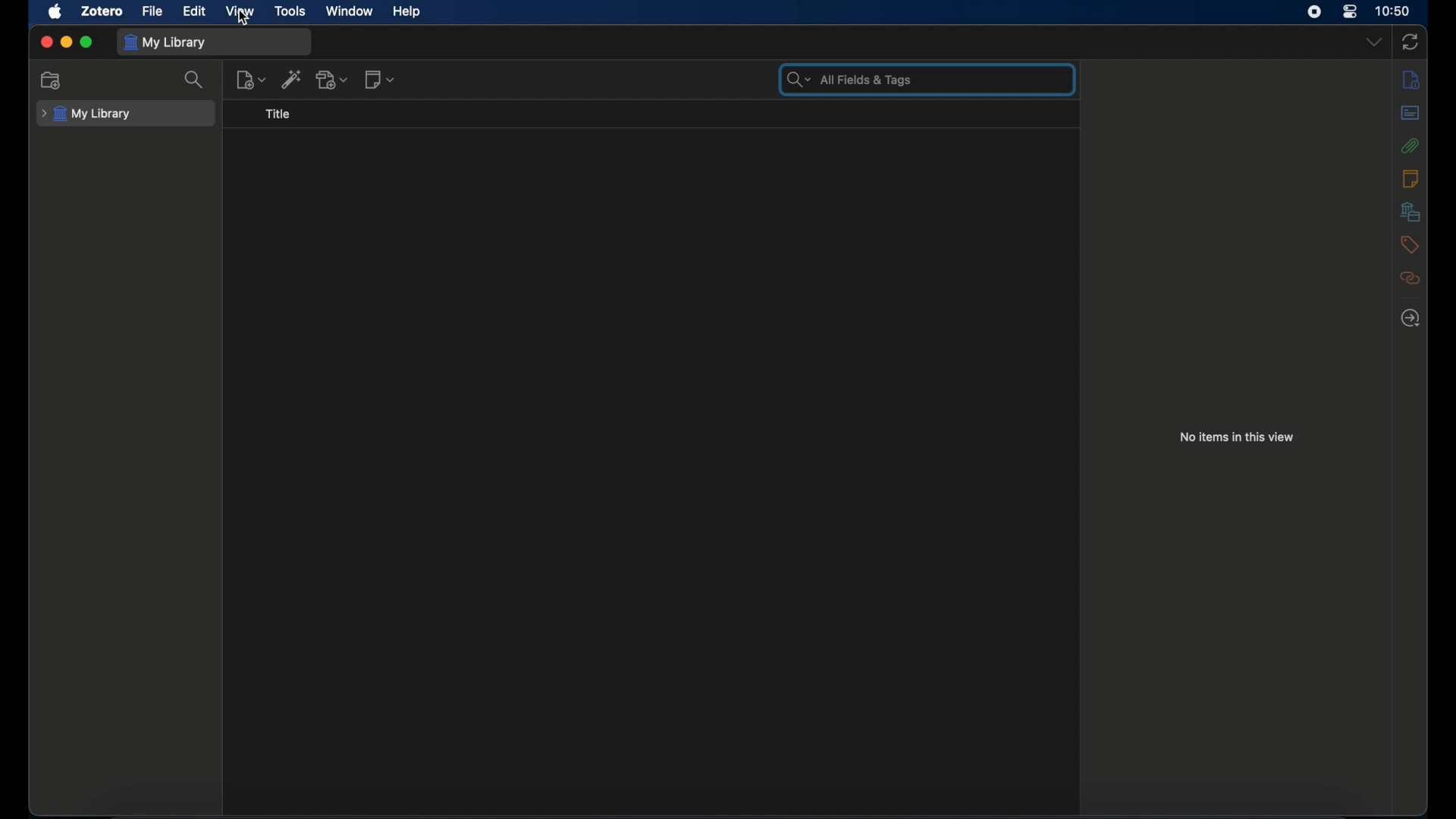 The width and height of the screenshot is (1456, 819). Describe the element at coordinates (278, 114) in the screenshot. I see `title` at that location.